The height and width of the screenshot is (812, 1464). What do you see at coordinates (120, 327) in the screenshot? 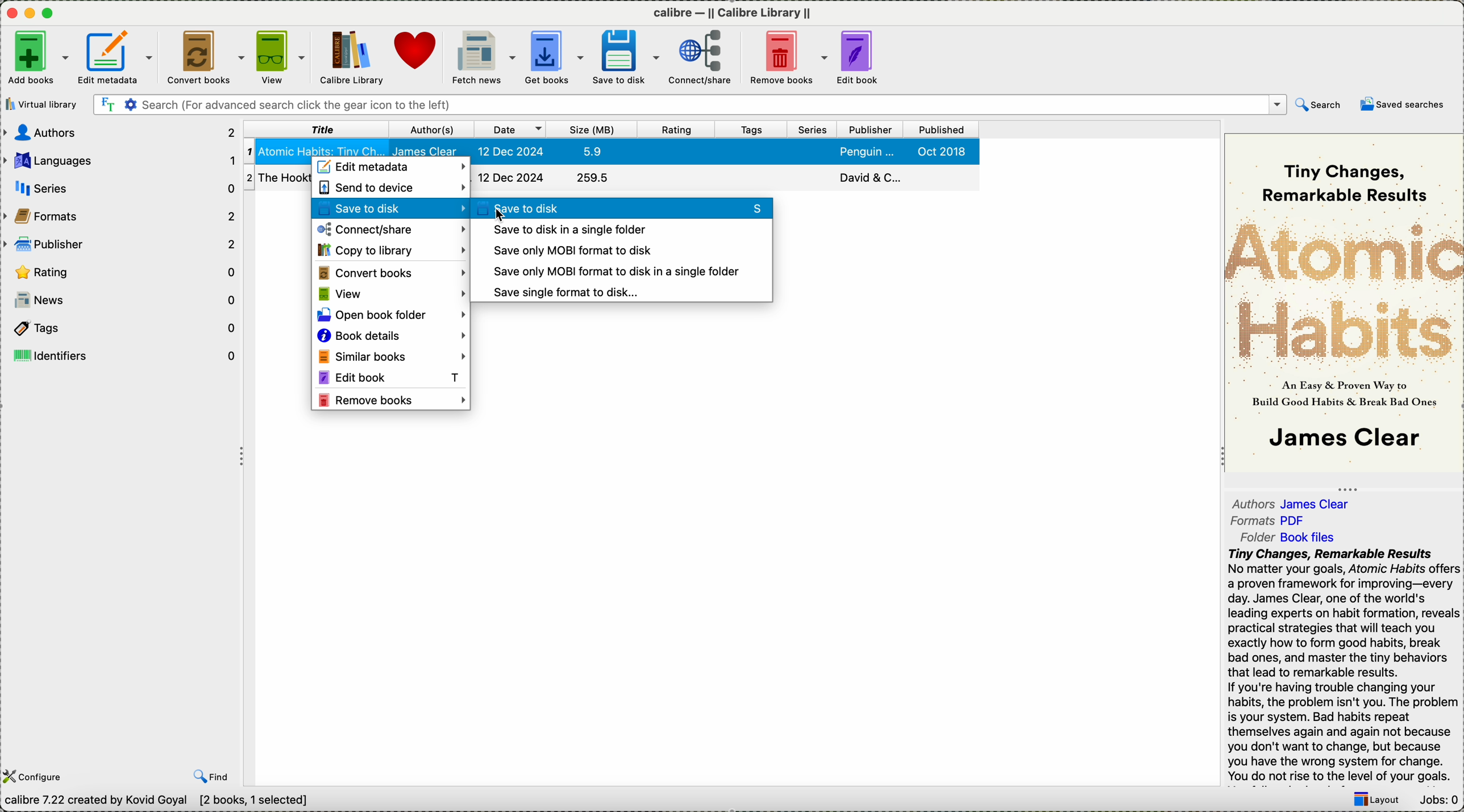
I see `tags` at bounding box center [120, 327].